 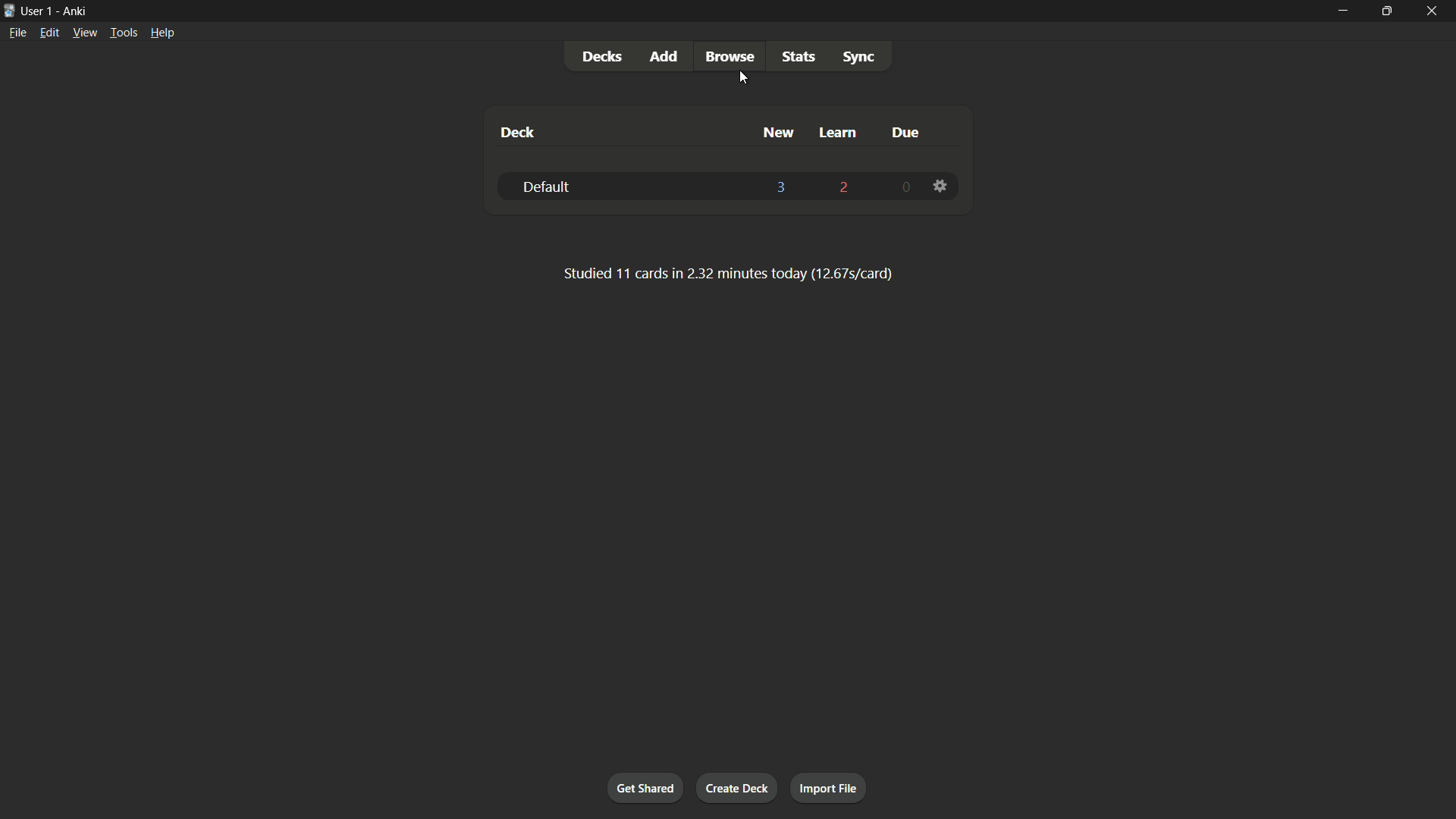 I want to click on deck, so click(x=518, y=132).